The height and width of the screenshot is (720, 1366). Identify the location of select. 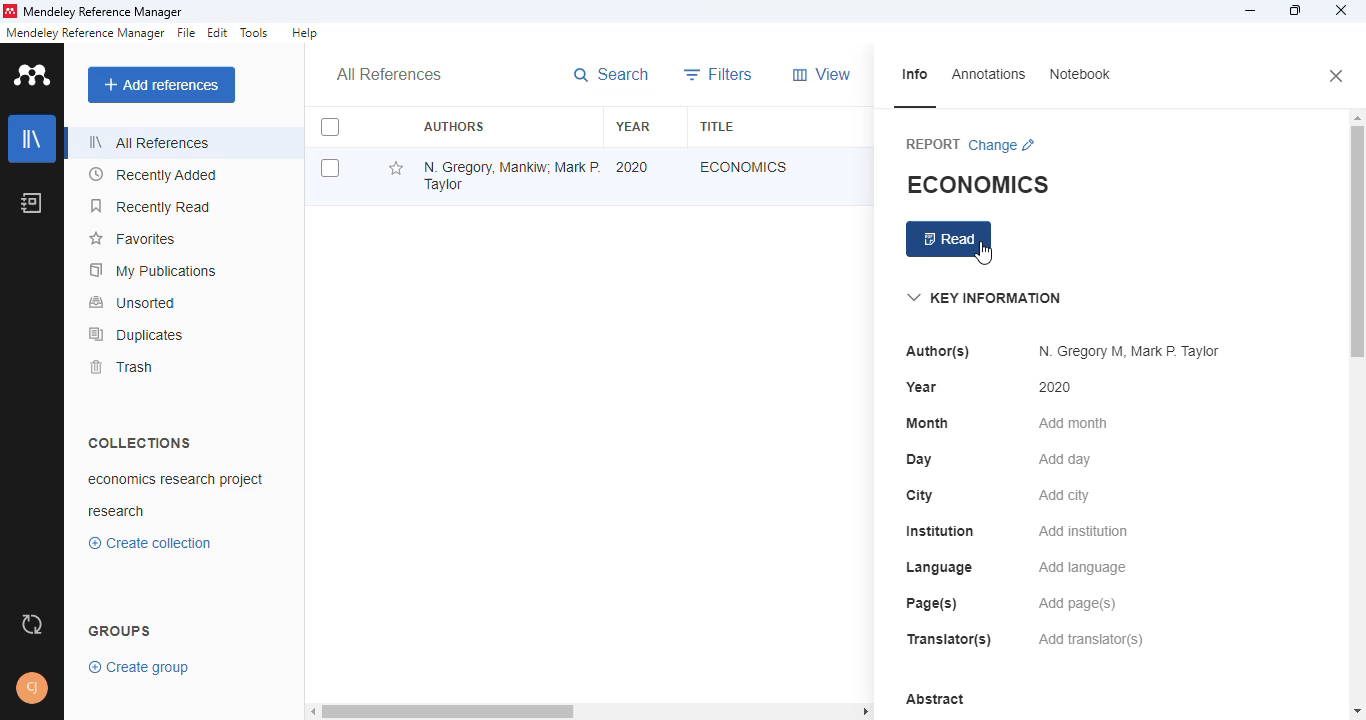
(330, 127).